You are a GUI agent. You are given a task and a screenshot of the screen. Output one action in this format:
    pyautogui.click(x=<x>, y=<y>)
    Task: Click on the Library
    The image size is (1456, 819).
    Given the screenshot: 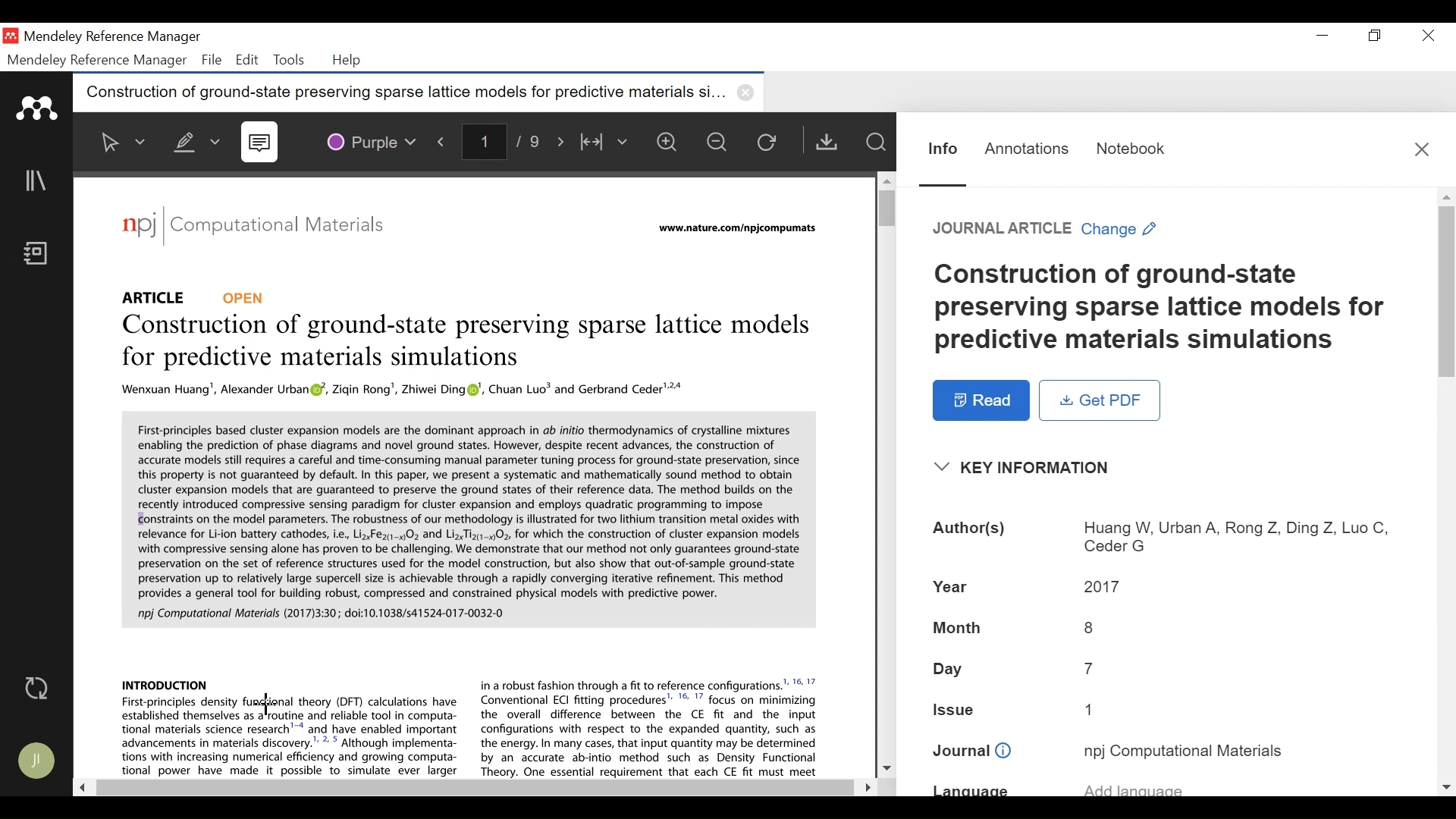 What is the action you would take?
    pyautogui.click(x=38, y=181)
    